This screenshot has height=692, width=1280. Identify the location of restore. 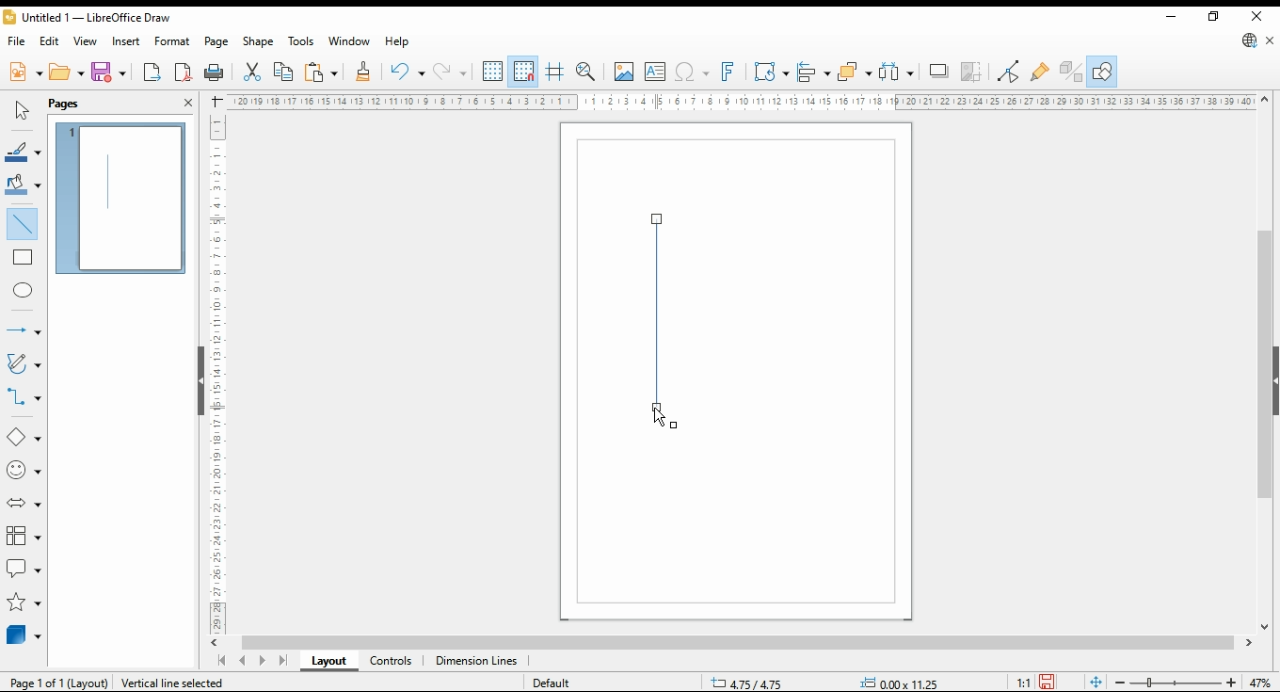
(1216, 16).